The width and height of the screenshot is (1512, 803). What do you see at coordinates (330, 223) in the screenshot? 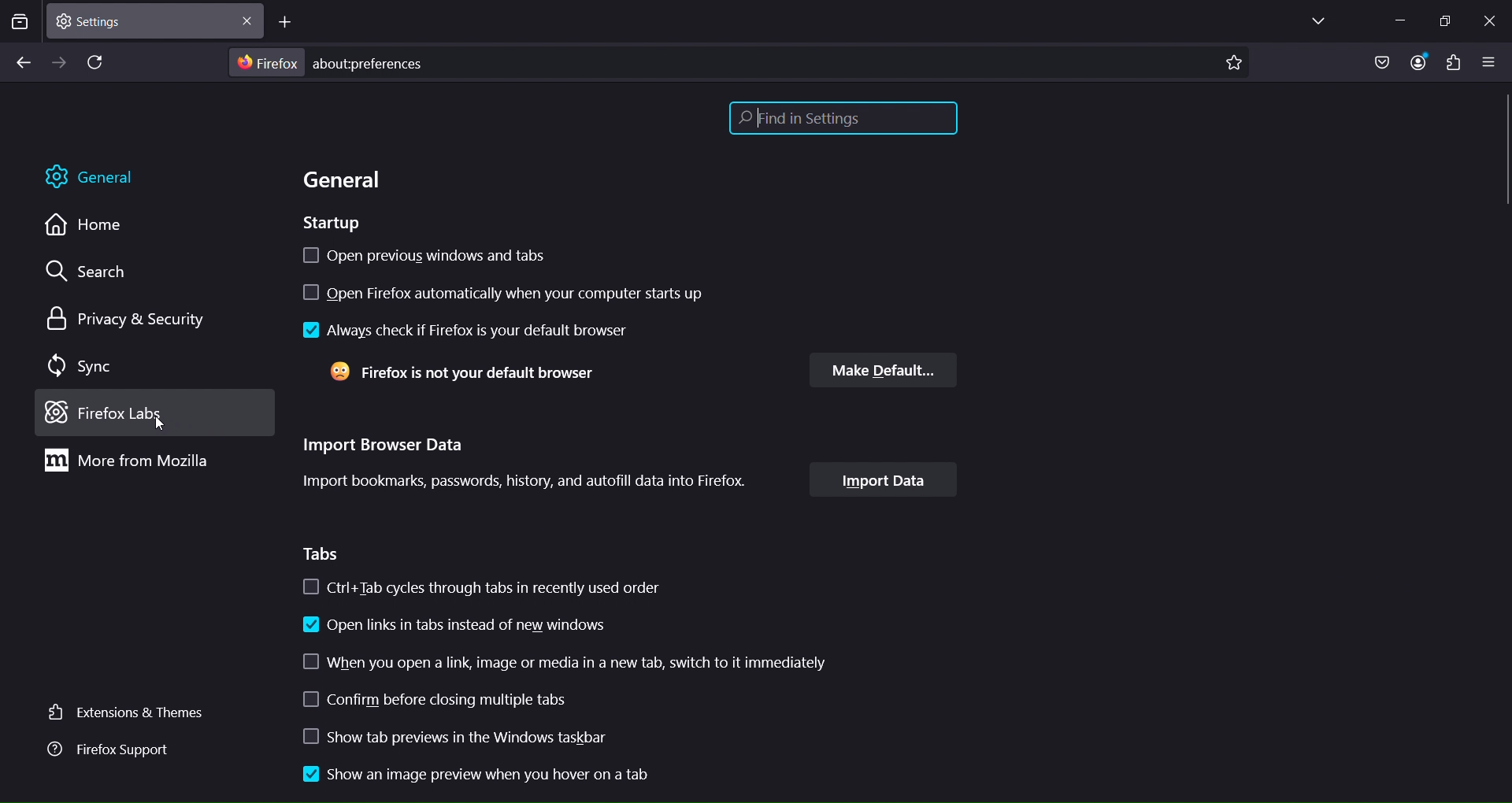
I see `startup` at bounding box center [330, 223].